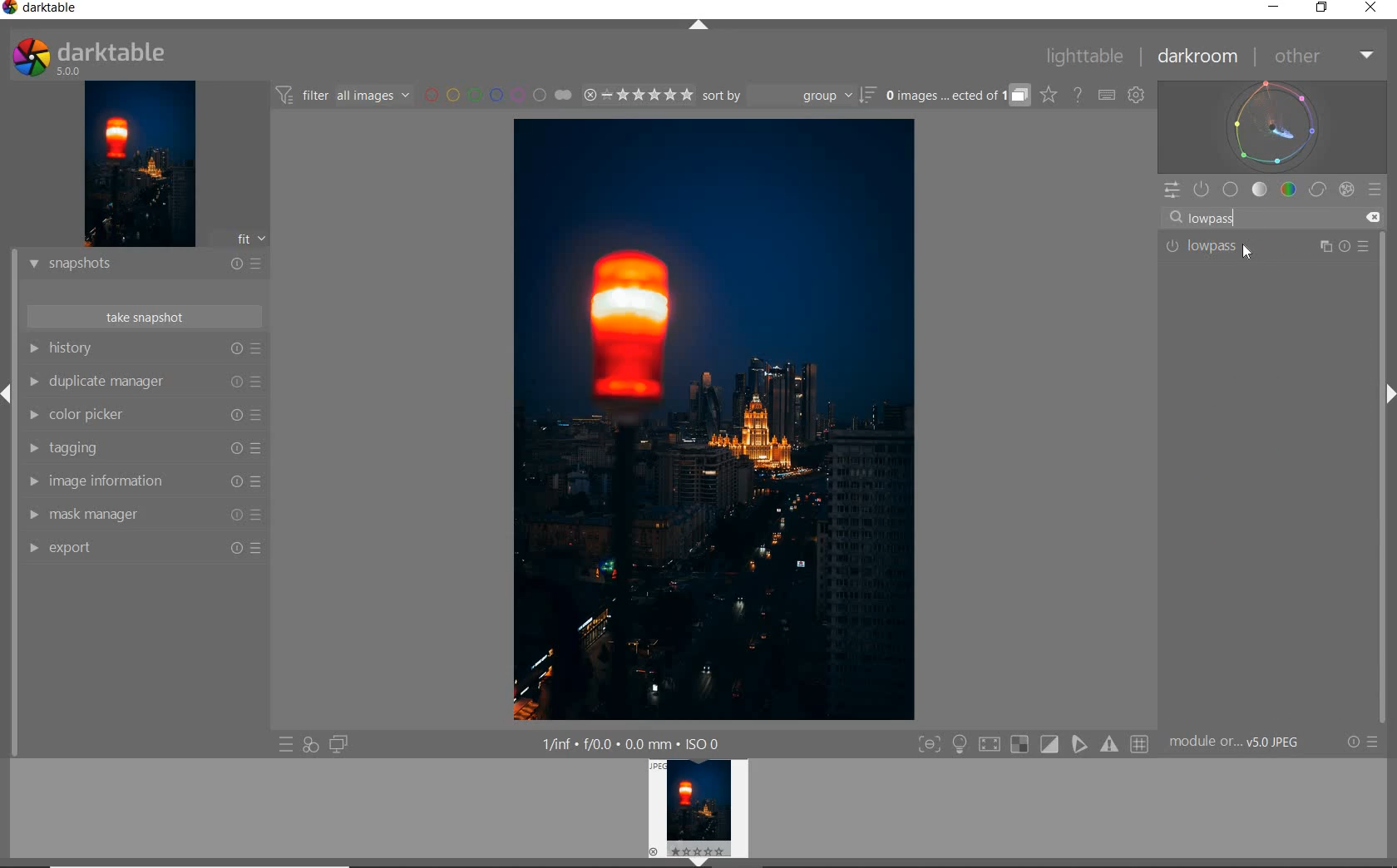 Image resolution: width=1397 pixels, height=868 pixels. What do you see at coordinates (1087, 55) in the screenshot?
I see `LIGHTTABLE` at bounding box center [1087, 55].